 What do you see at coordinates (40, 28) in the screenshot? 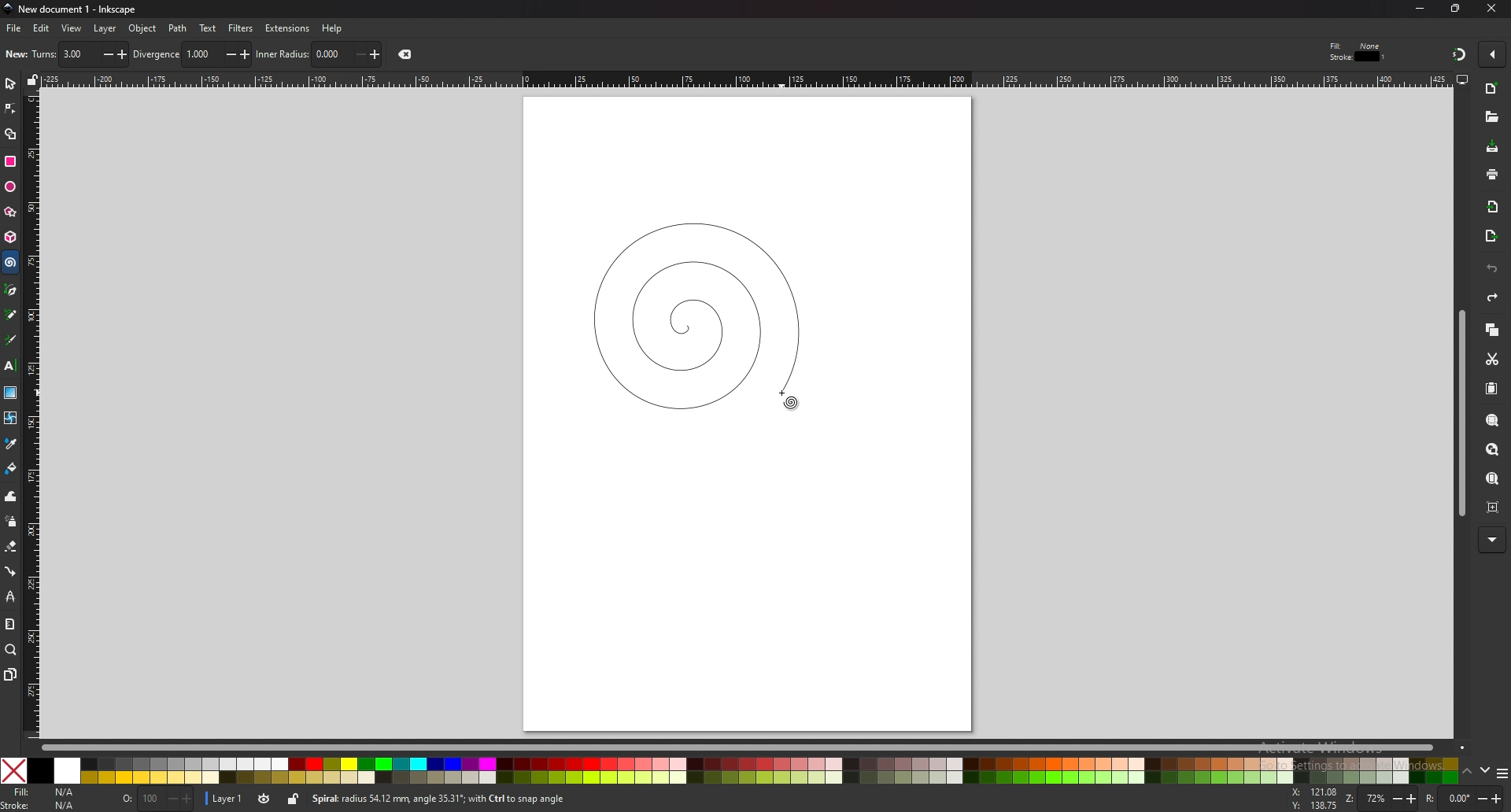
I see `edit` at bounding box center [40, 28].